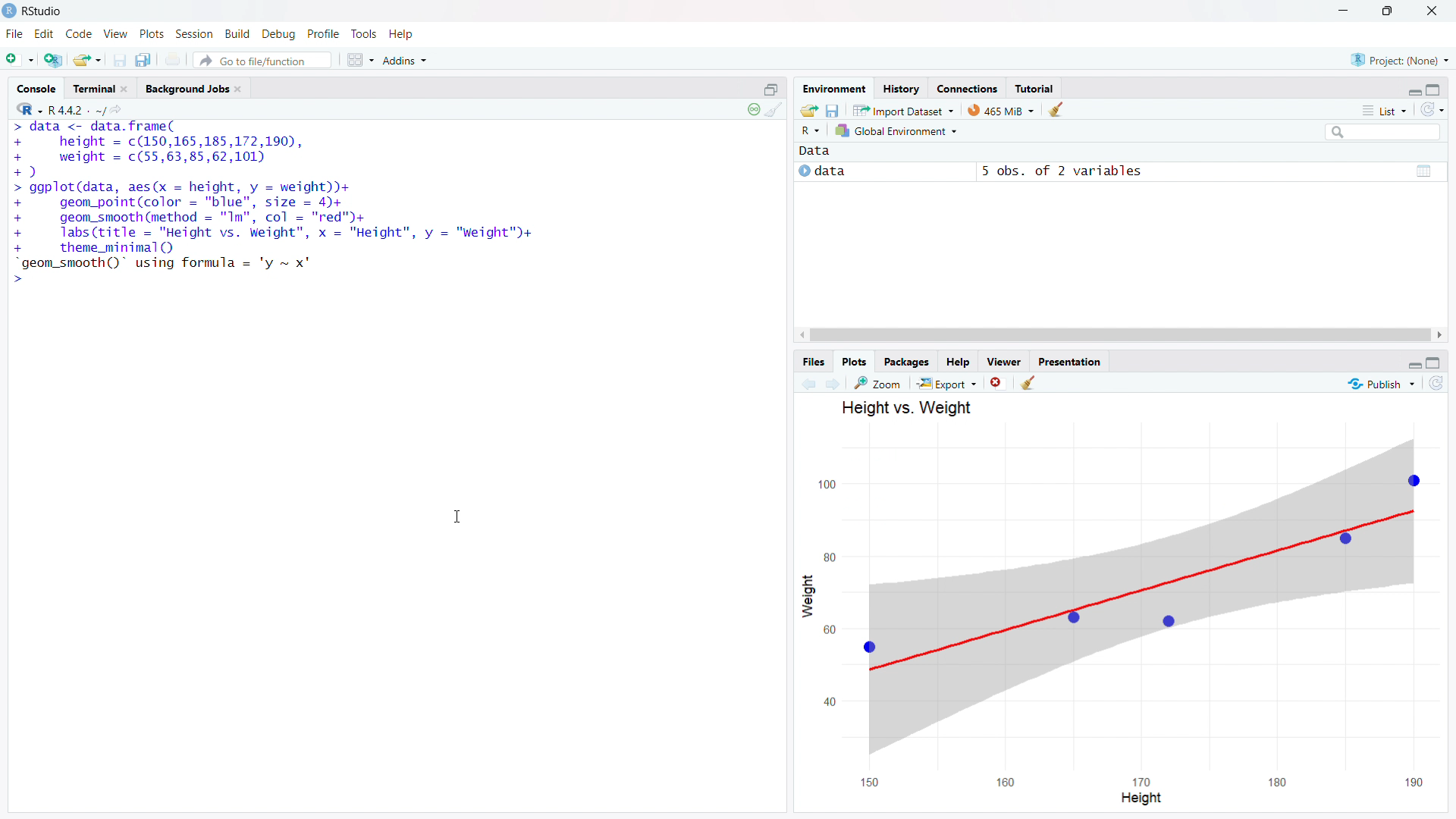 The image size is (1456, 819). I want to click on Height vs. Weight, so click(907, 409).